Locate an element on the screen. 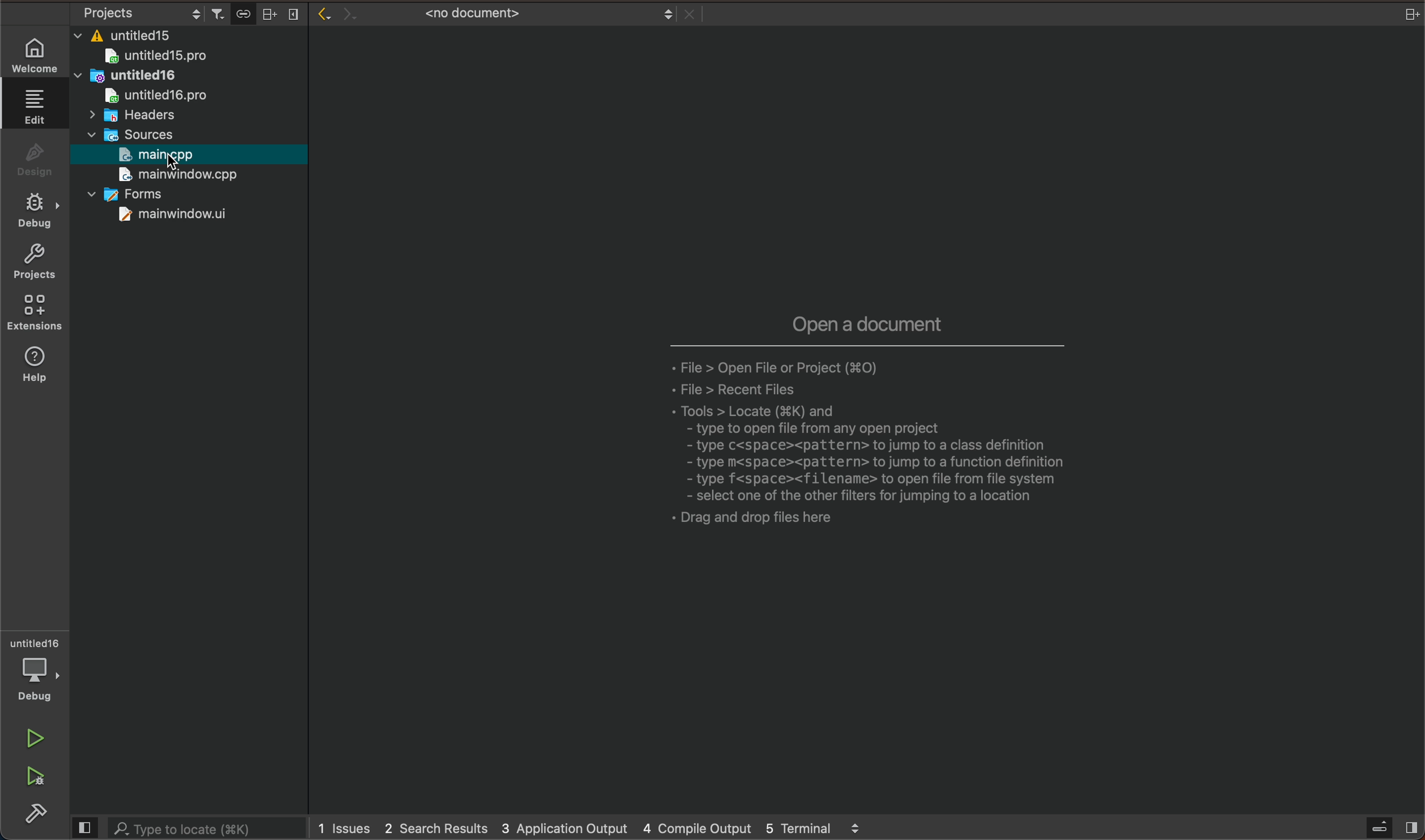  mainwindow.cpp is located at coordinates (173, 175).